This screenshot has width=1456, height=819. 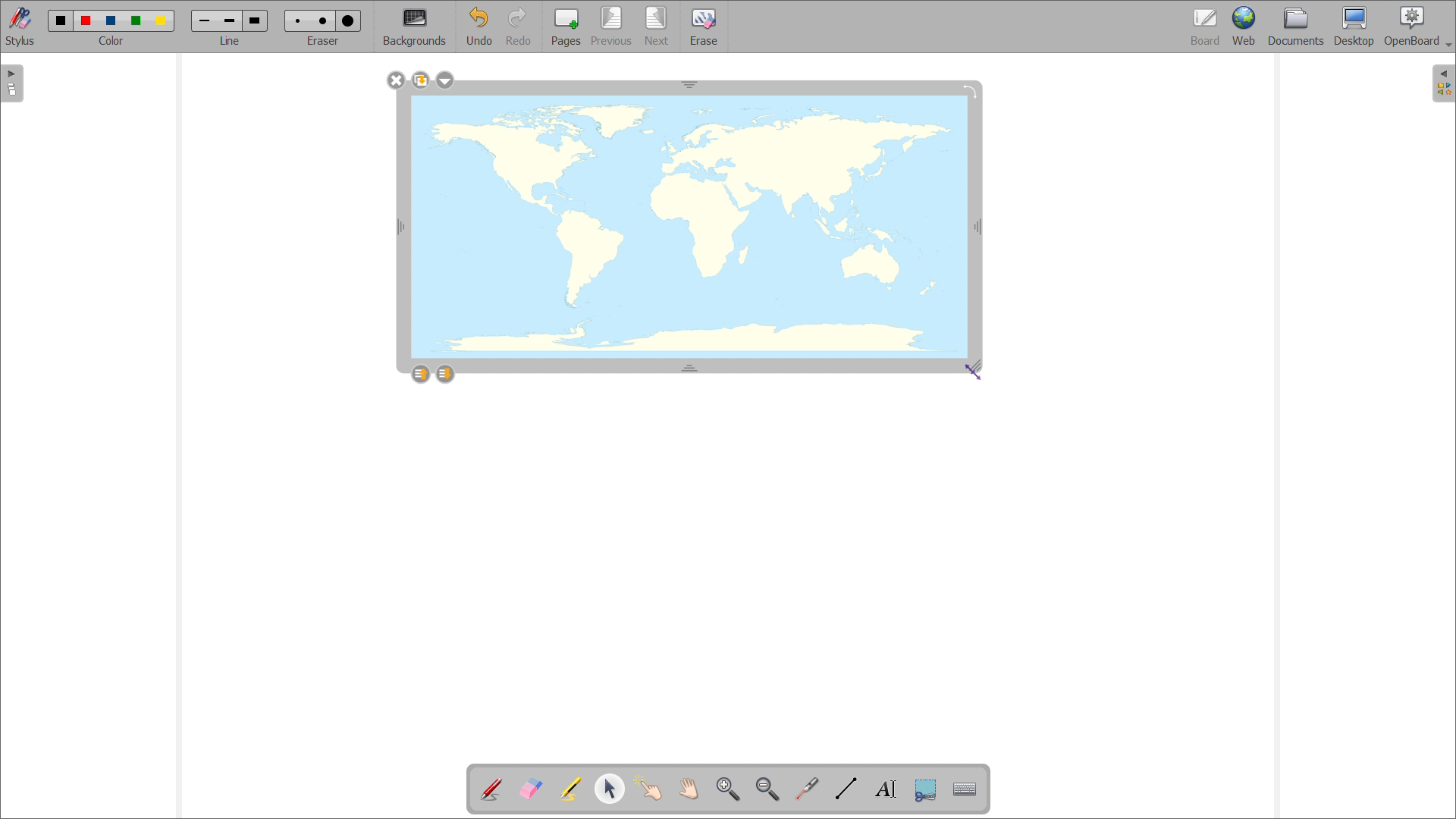 What do you see at coordinates (136, 22) in the screenshot?
I see `green` at bounding box center [136, 22].